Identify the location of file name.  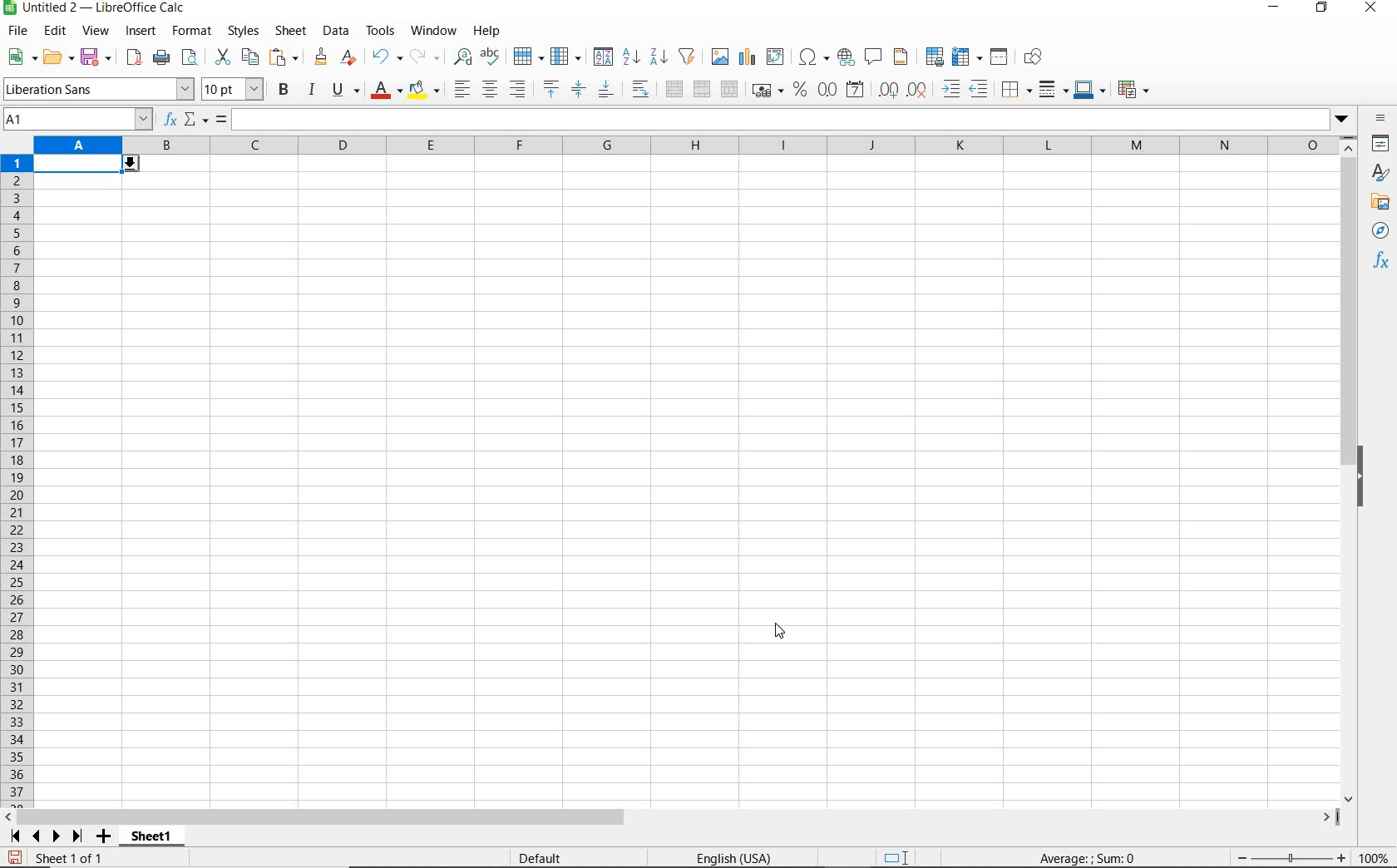
(95, 9).